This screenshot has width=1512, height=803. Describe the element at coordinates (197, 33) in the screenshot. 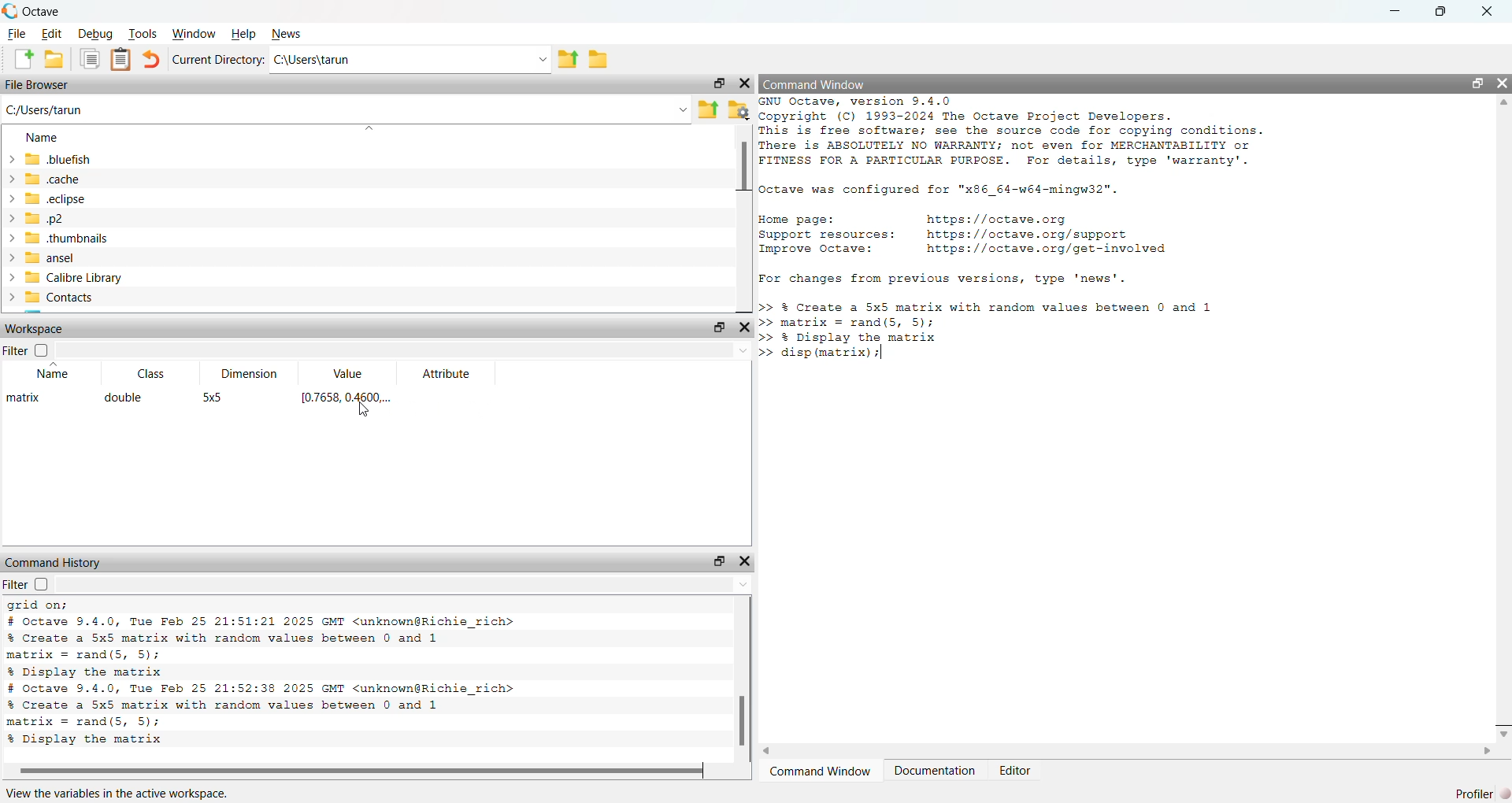

I see `Window` at that location.